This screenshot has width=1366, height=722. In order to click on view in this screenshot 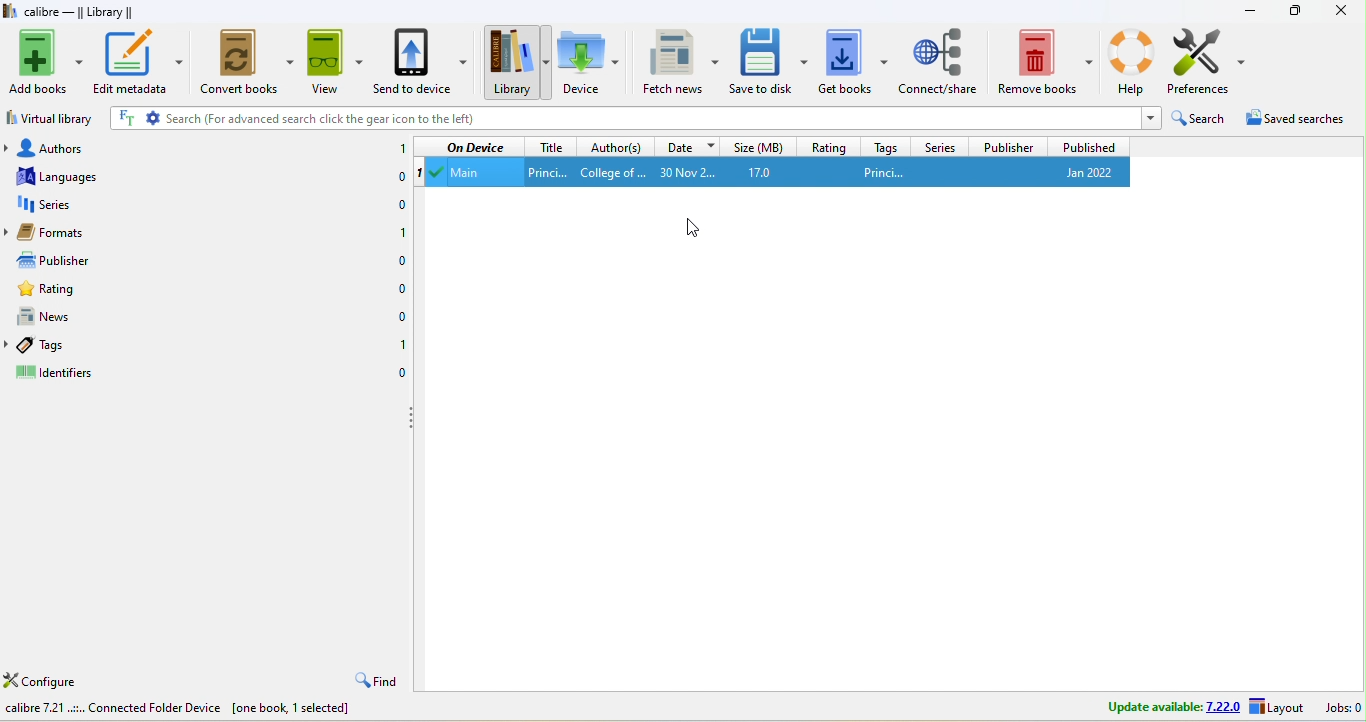, I will do `click(334, 64)`.